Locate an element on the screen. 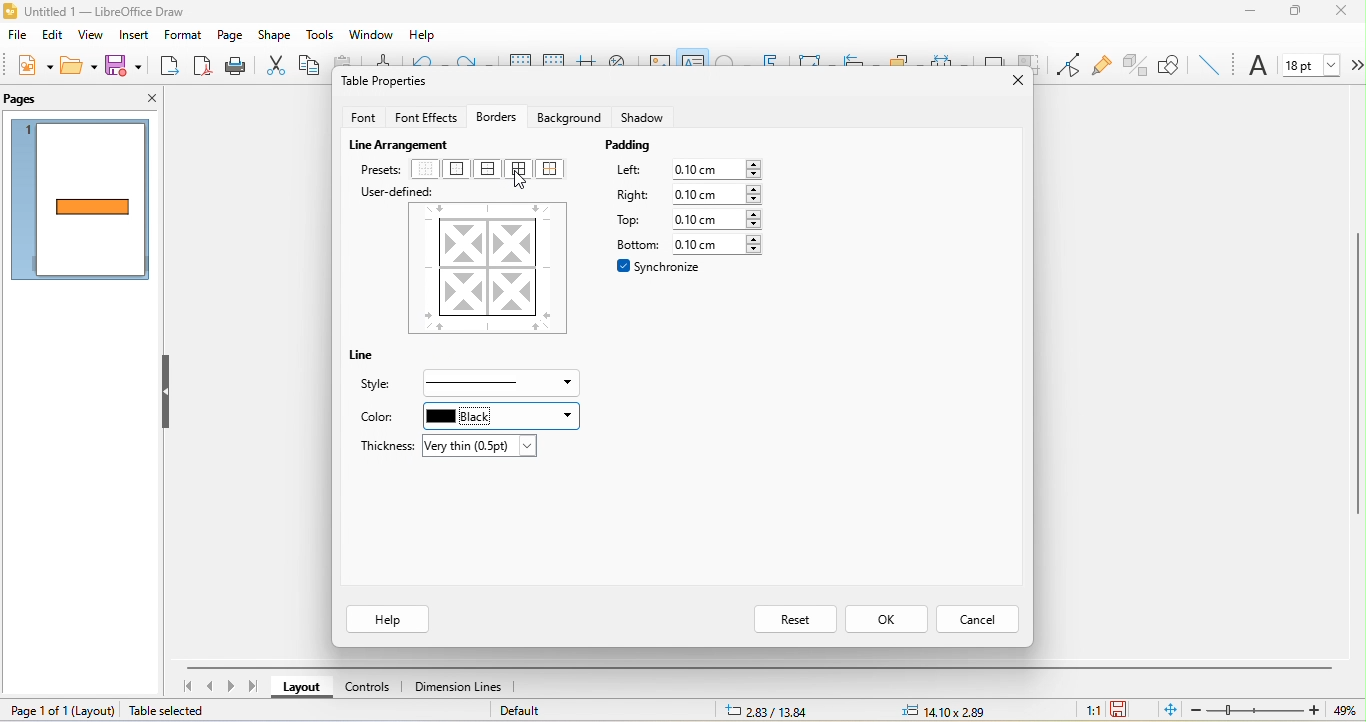 The height and width of the screenshot is (722, 1366). user defined border style is located at coordinates (488, 267).